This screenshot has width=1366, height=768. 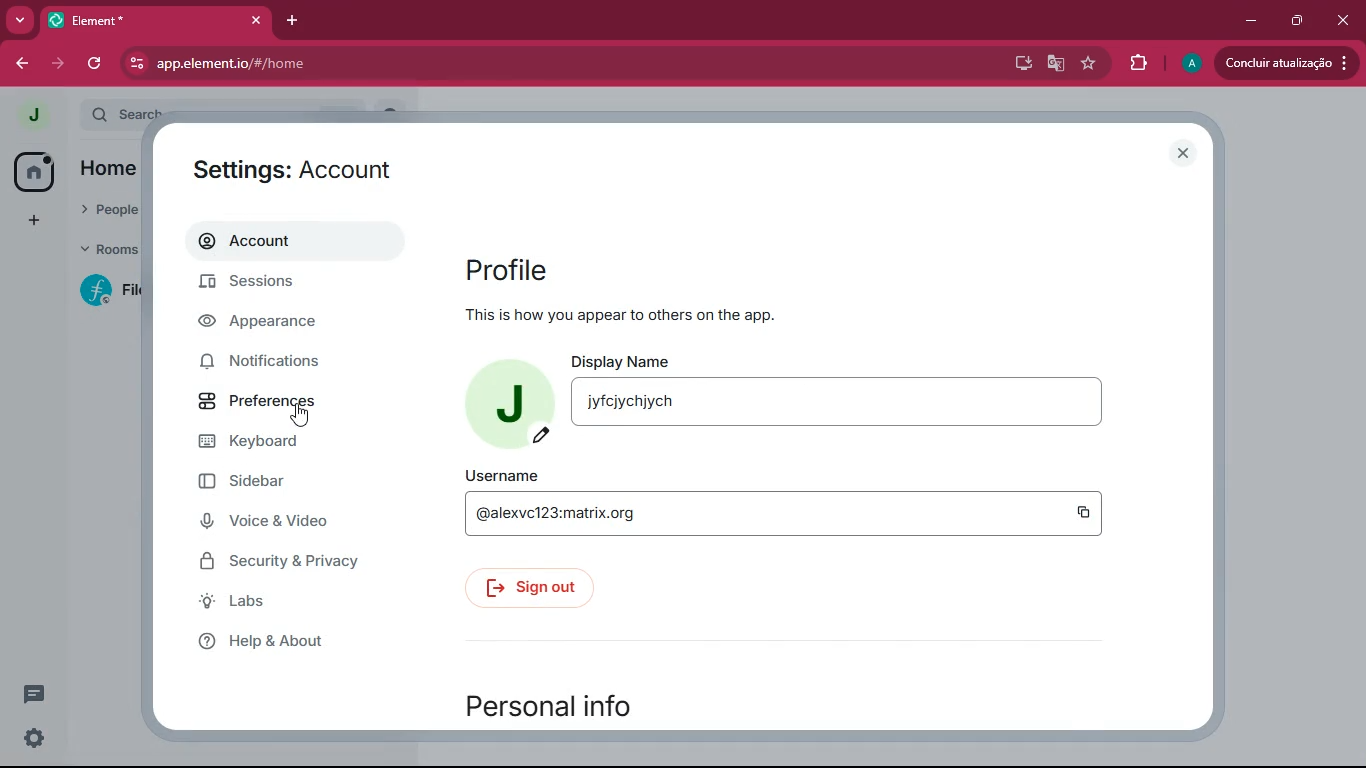 What do you see at coordinates (28, 172) in the screenshot?
I see `home` at bounding box center [28, 172].